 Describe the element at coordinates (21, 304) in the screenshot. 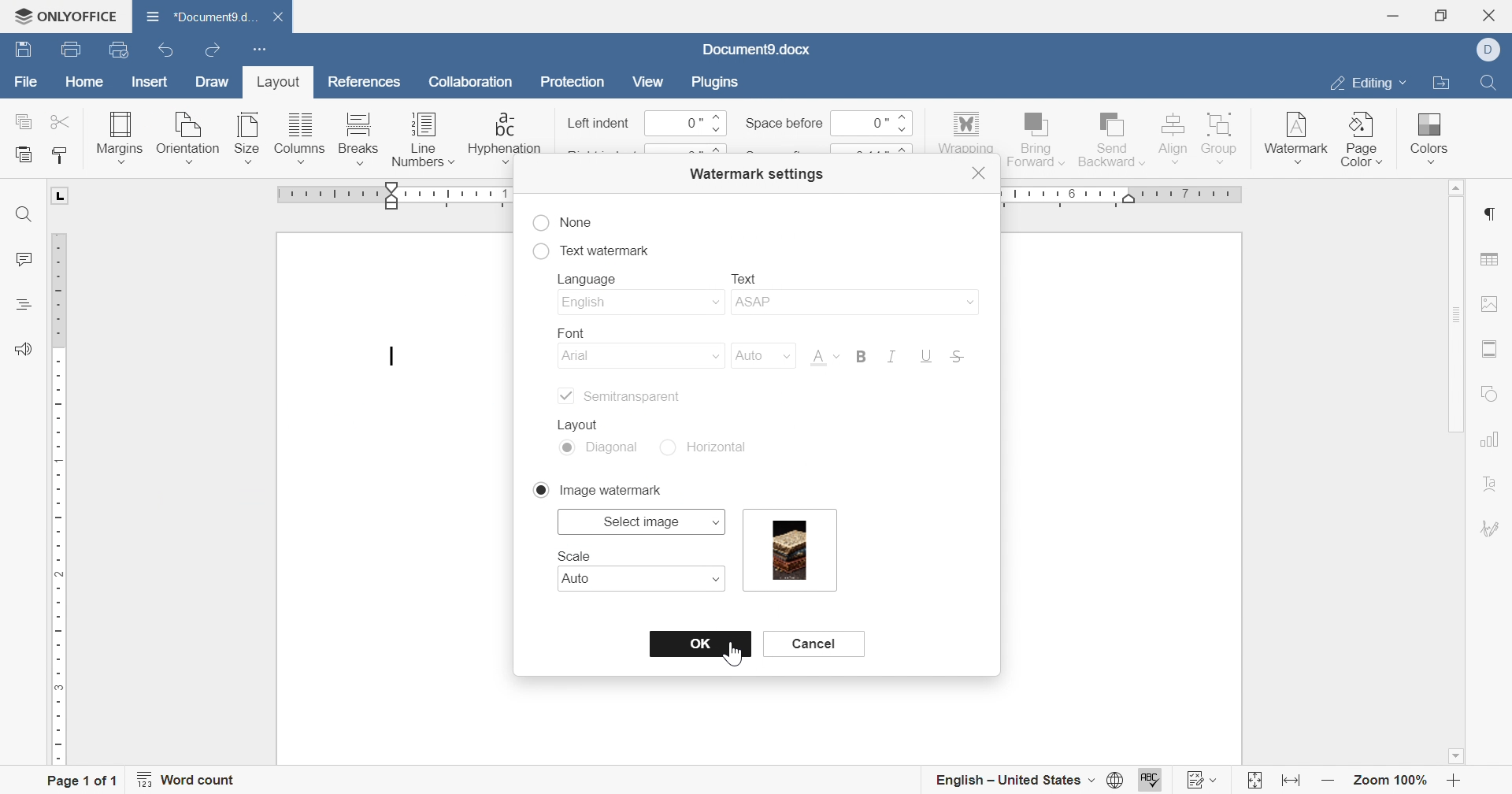

I see `headings` at that location.